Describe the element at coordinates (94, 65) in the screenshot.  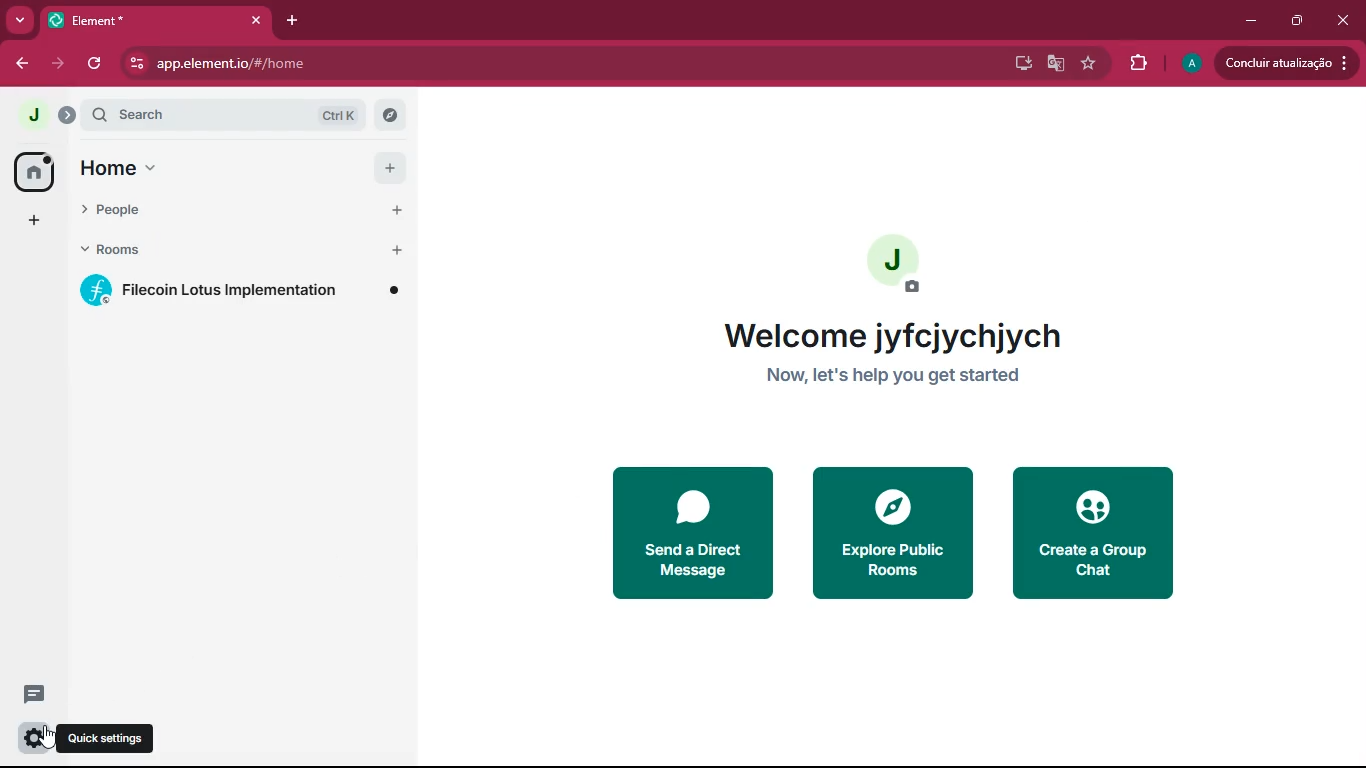
I see `refresh` at that location.